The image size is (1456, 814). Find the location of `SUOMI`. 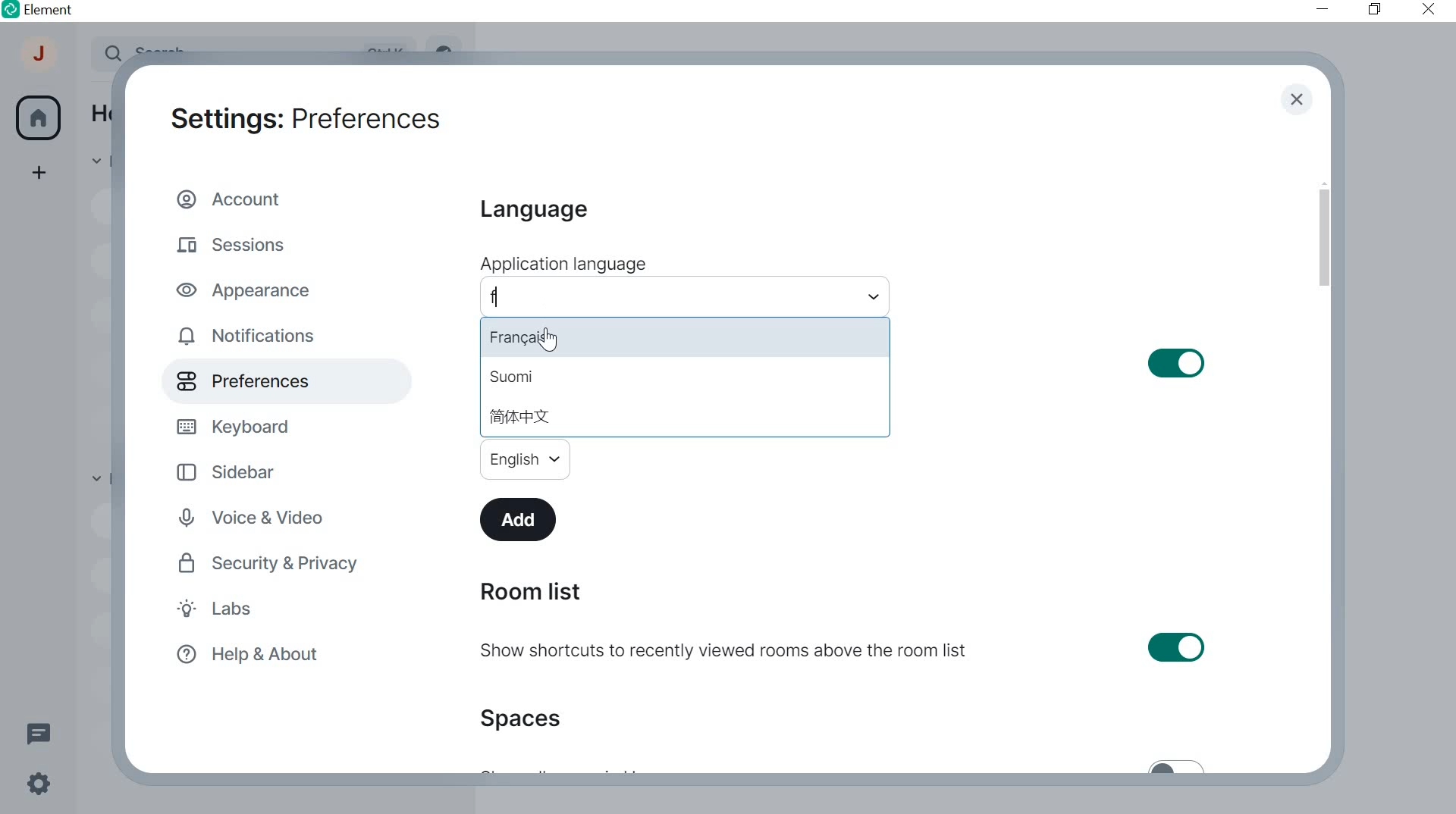

SUOMI is located at coordinates (510, 378).